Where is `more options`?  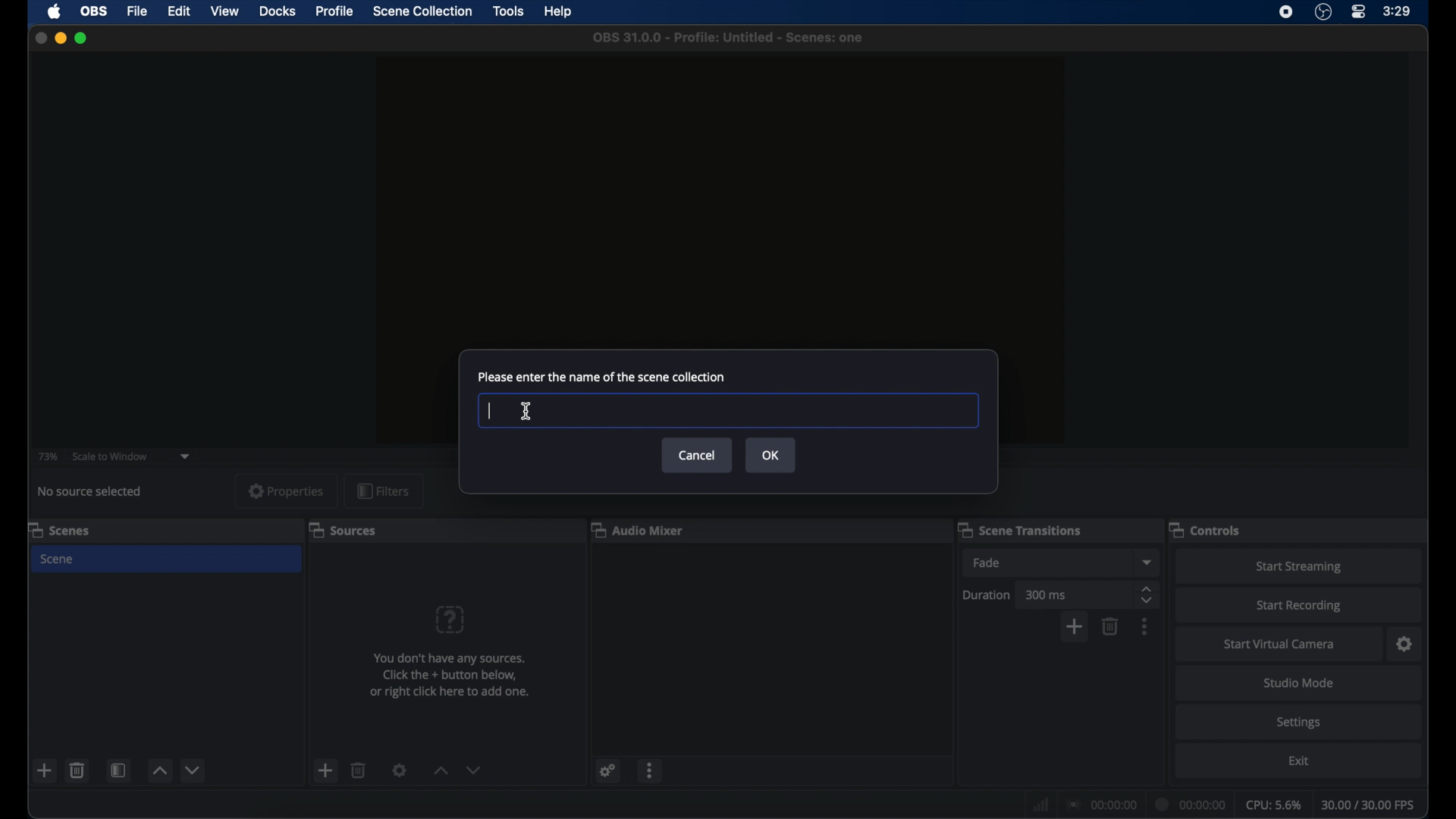 more options is located at coordinates (651, 770).